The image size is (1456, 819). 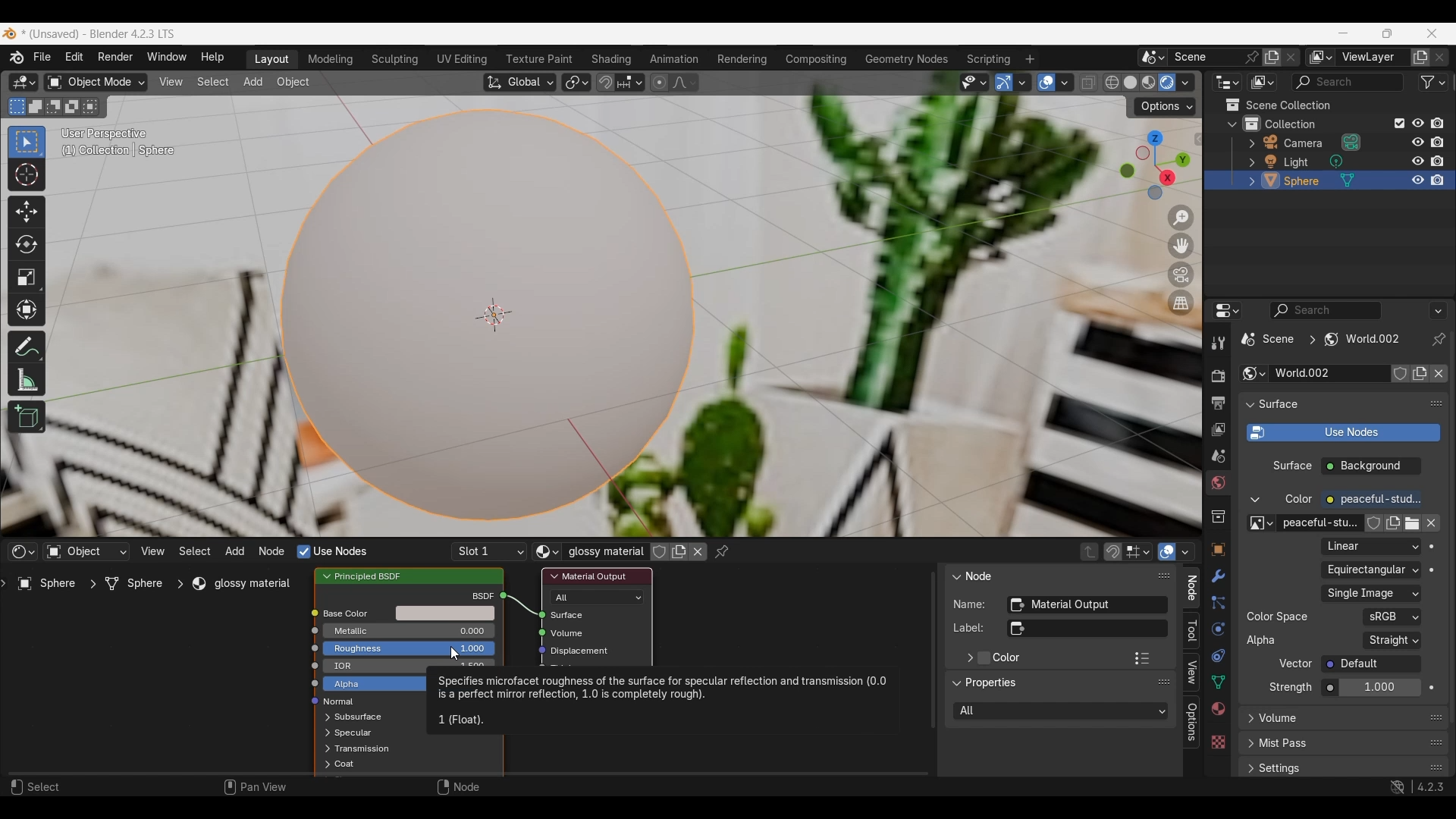 What do you see at coordinates (1089, 82) in the screenshot?
I see `Toggle x-ray` at bounding box center [1089, 82].